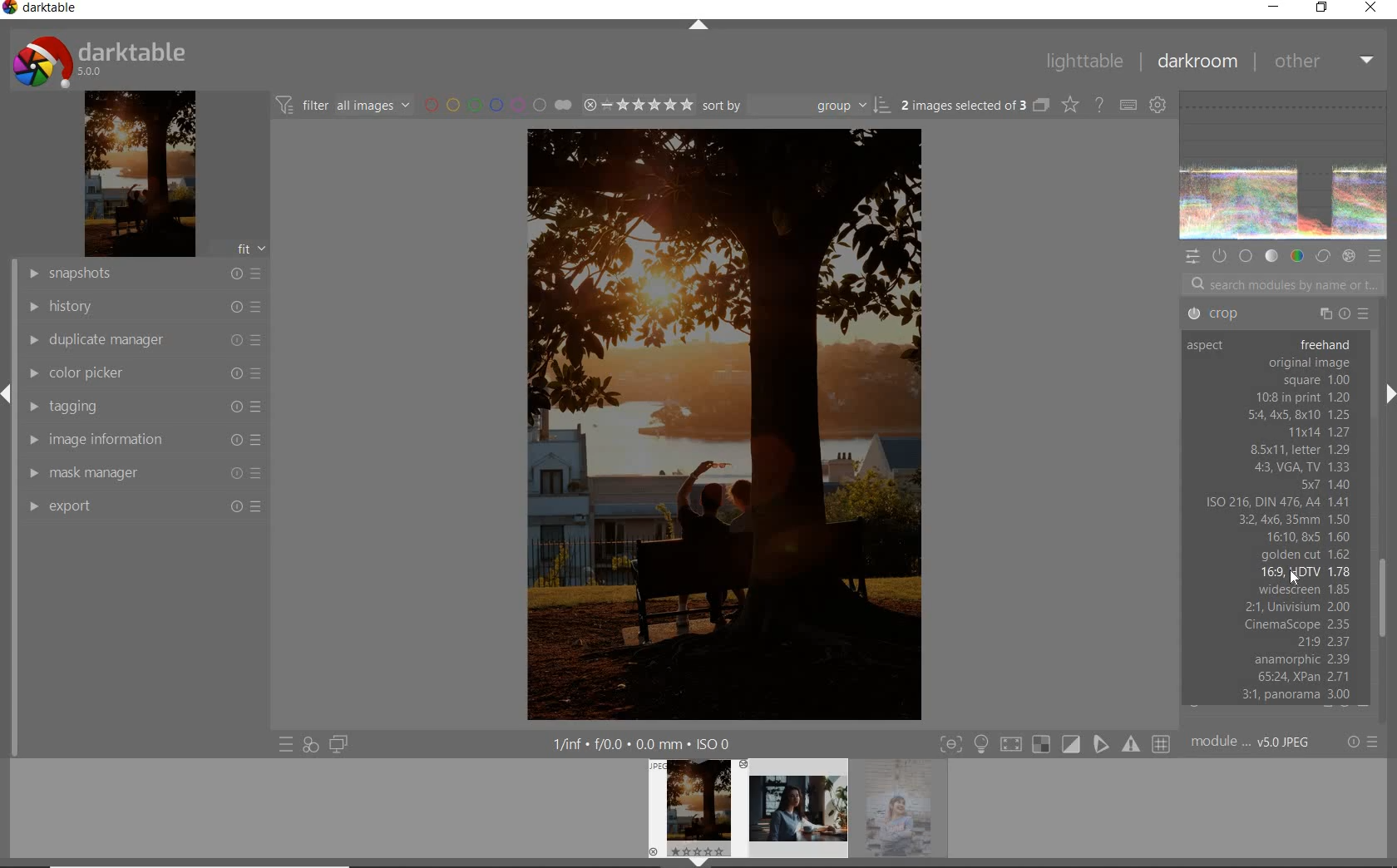 The height and width of the screenshot is (868, 1397). What do you see at coordinates (1128, 104) in the screenshot?
I see `define keyboard shortcut` at bounding box center [1128, 104].